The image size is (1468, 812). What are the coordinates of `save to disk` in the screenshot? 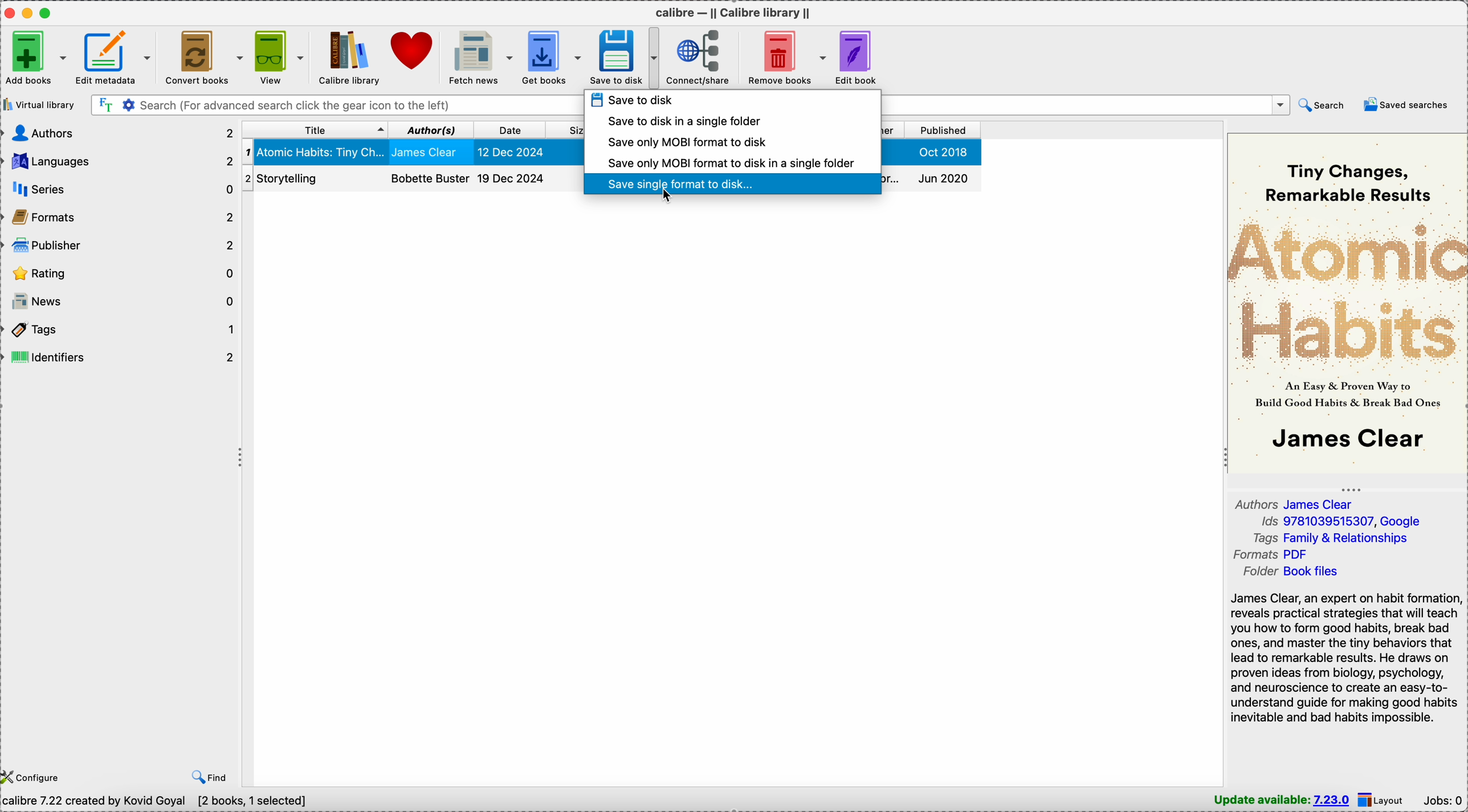 It's located at (629, 101).